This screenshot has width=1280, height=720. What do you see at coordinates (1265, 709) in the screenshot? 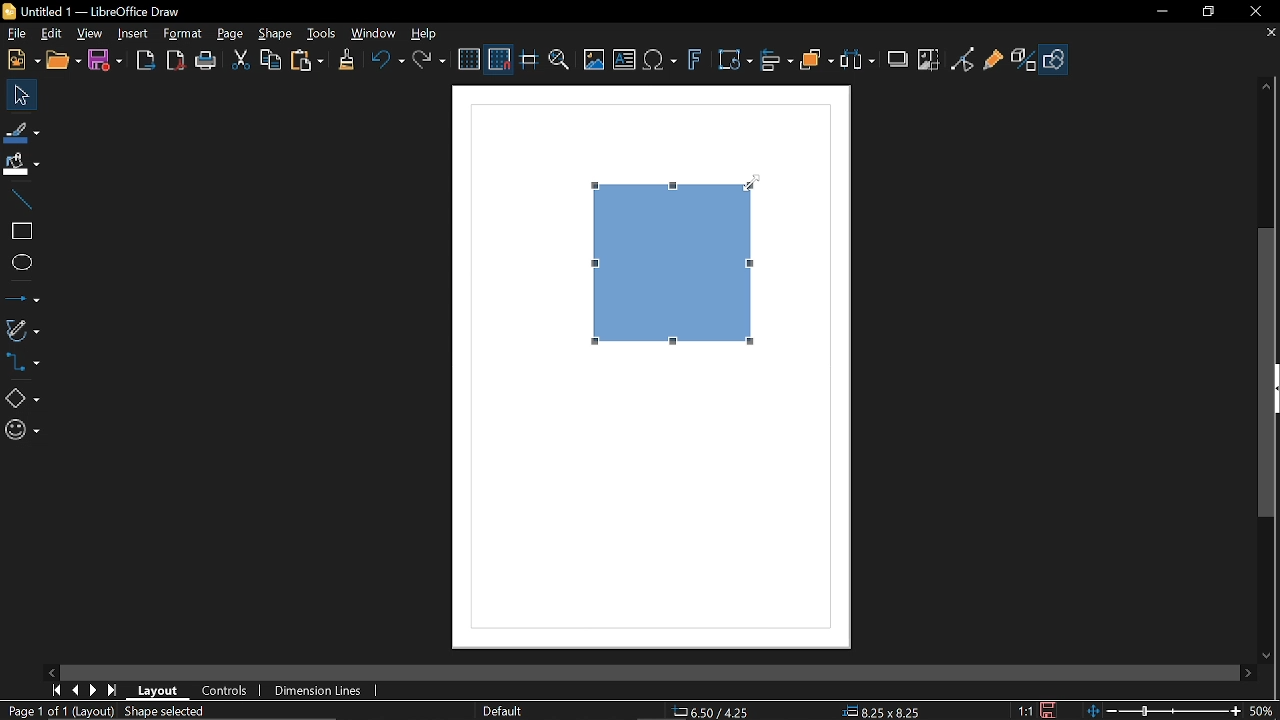
I see `50% (current zoom level)` at bounding box center [1265, 709].